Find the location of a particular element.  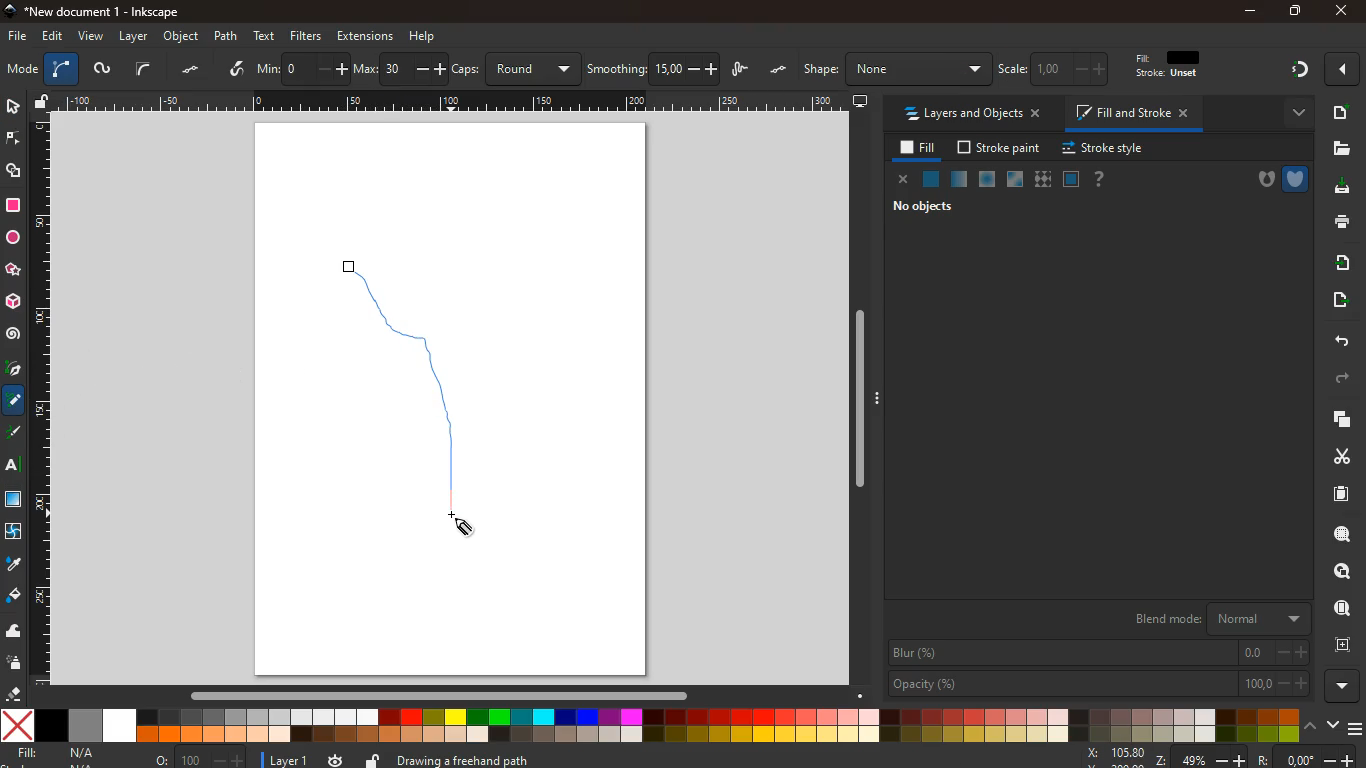

unlock is located at coordinates (374, 759).